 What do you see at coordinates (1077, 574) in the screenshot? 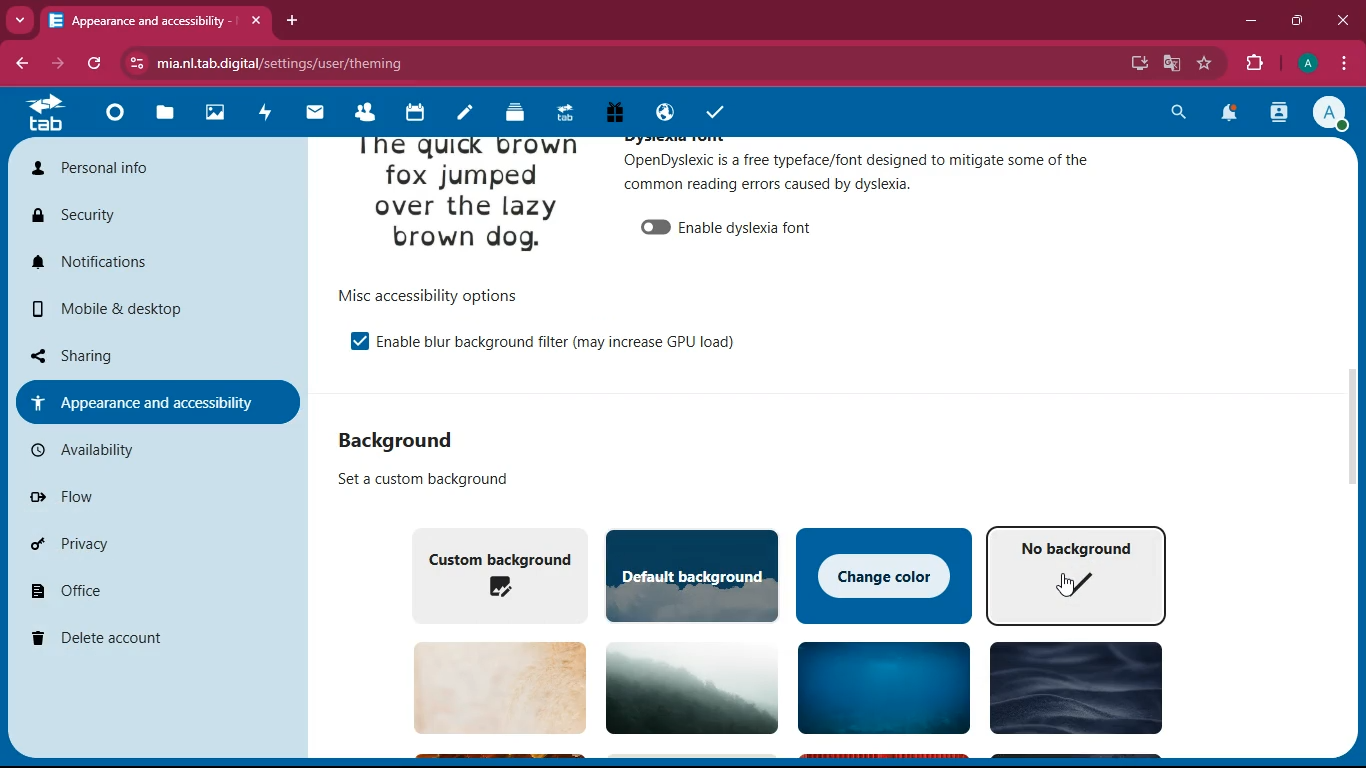
I see `no background` at bounding box center [1077, 574].